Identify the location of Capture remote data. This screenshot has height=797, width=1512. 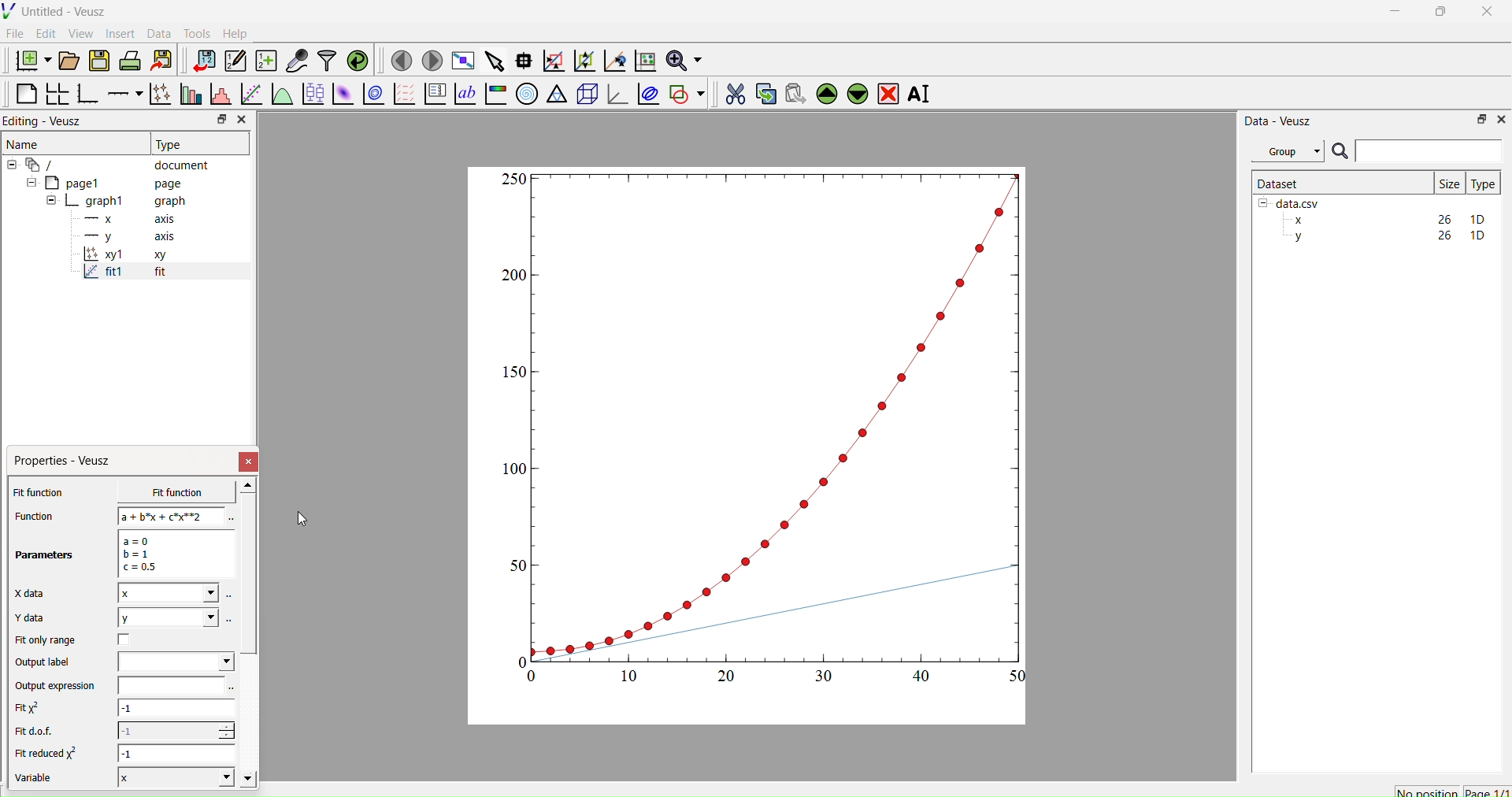
(297, 61).